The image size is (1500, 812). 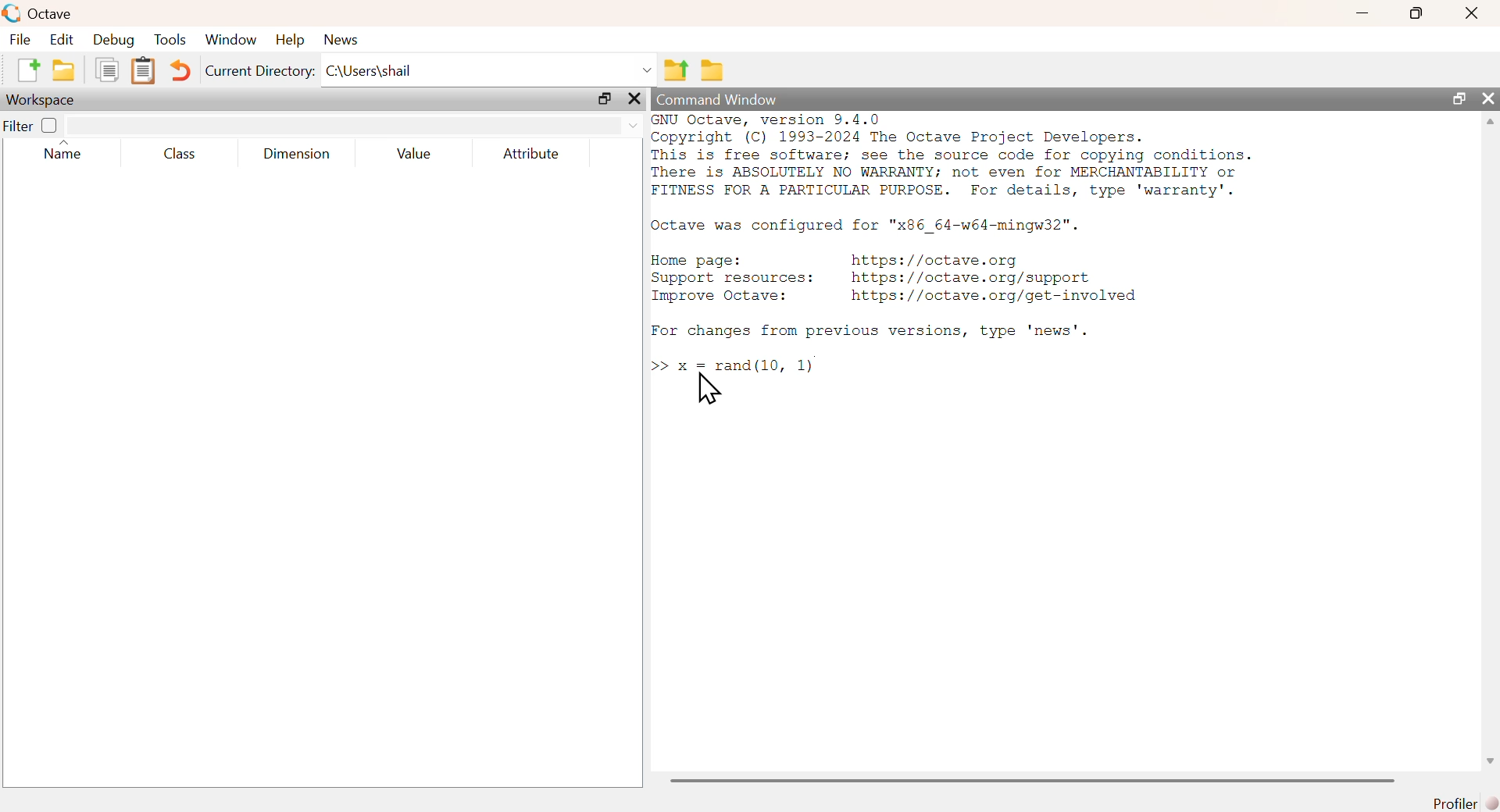 What do you see at coordinates (186, 155) in the screenshot?
I see `Class` at bounding box center [186, 155].